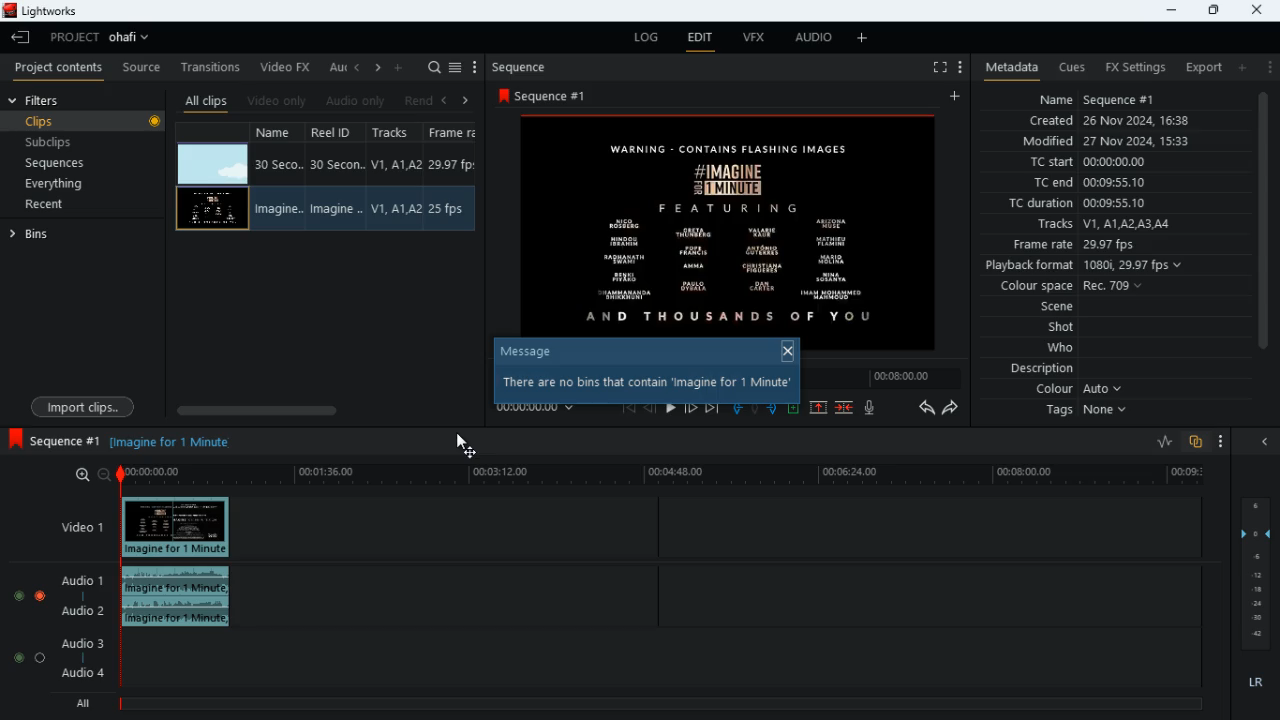 The height and width of the screenshot is (720, 1280). Describe the element at coordinates (1076, 391) in the screenshot. I see `colour` at that location.